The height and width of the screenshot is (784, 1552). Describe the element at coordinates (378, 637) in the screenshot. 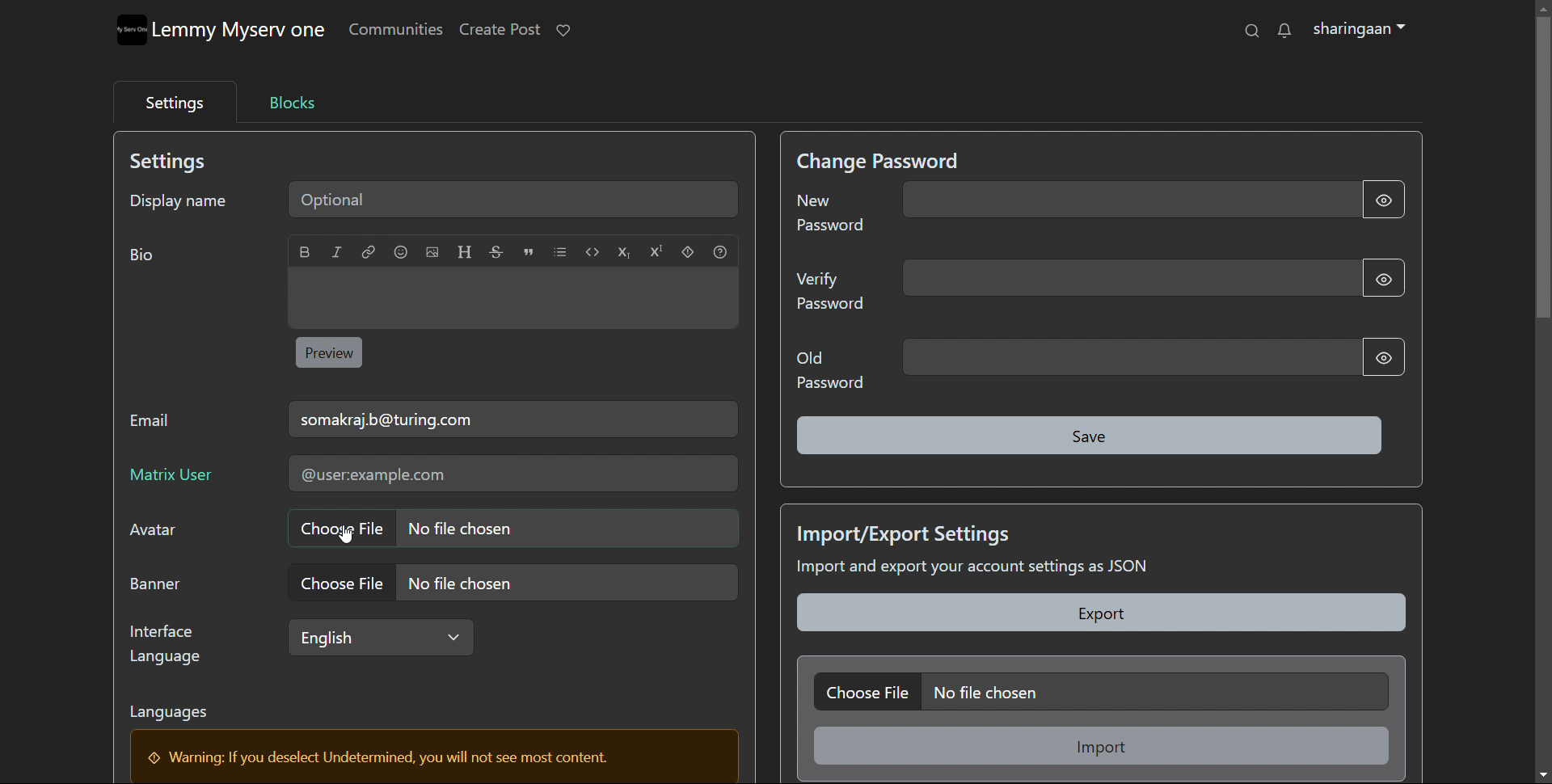

I see `select interface language` at that location.